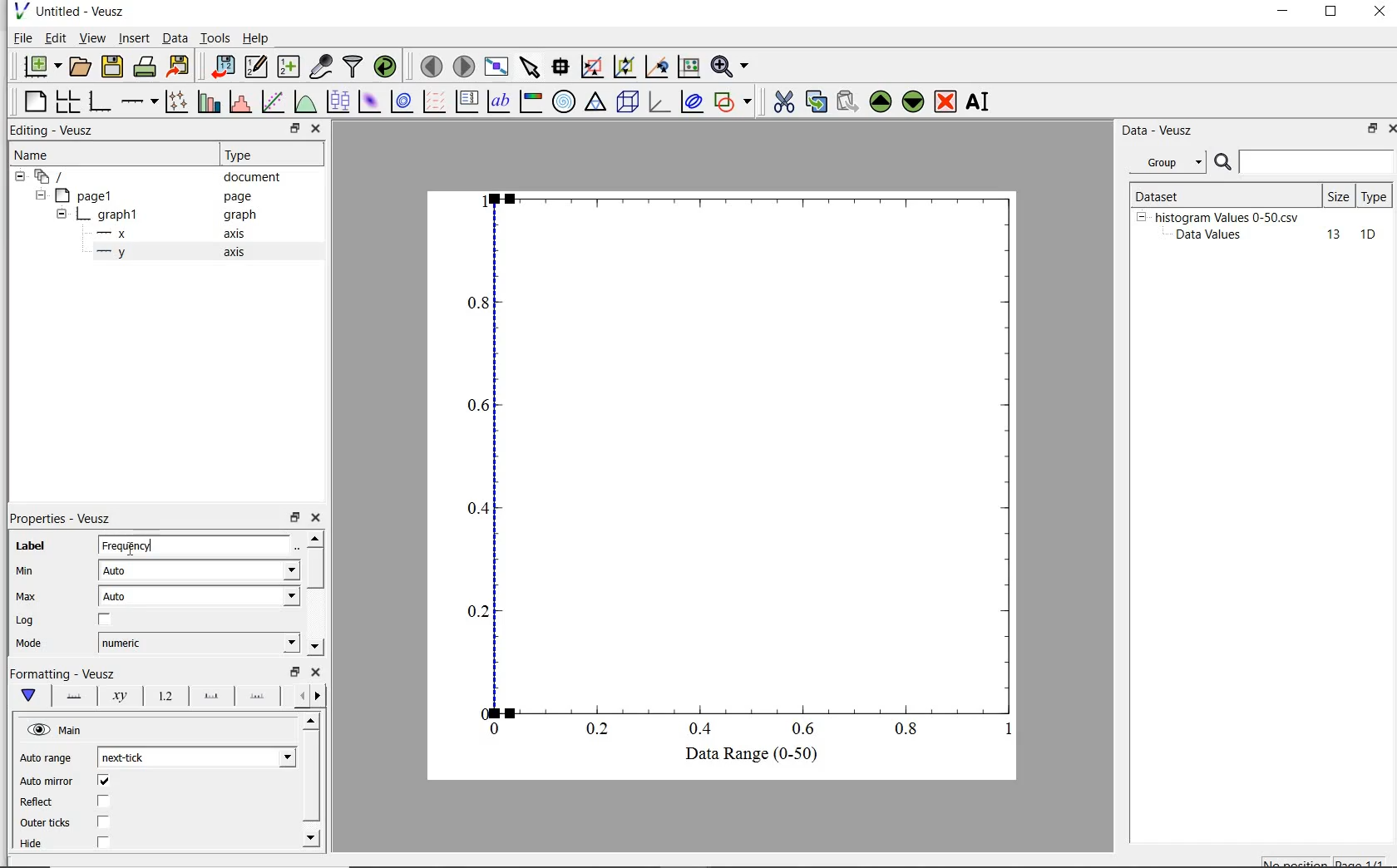 The image size is (1397, 868). What do you see at coordinates (164, 697) in the screenshot?
I see `tick label` at bounding box center [164, 697].